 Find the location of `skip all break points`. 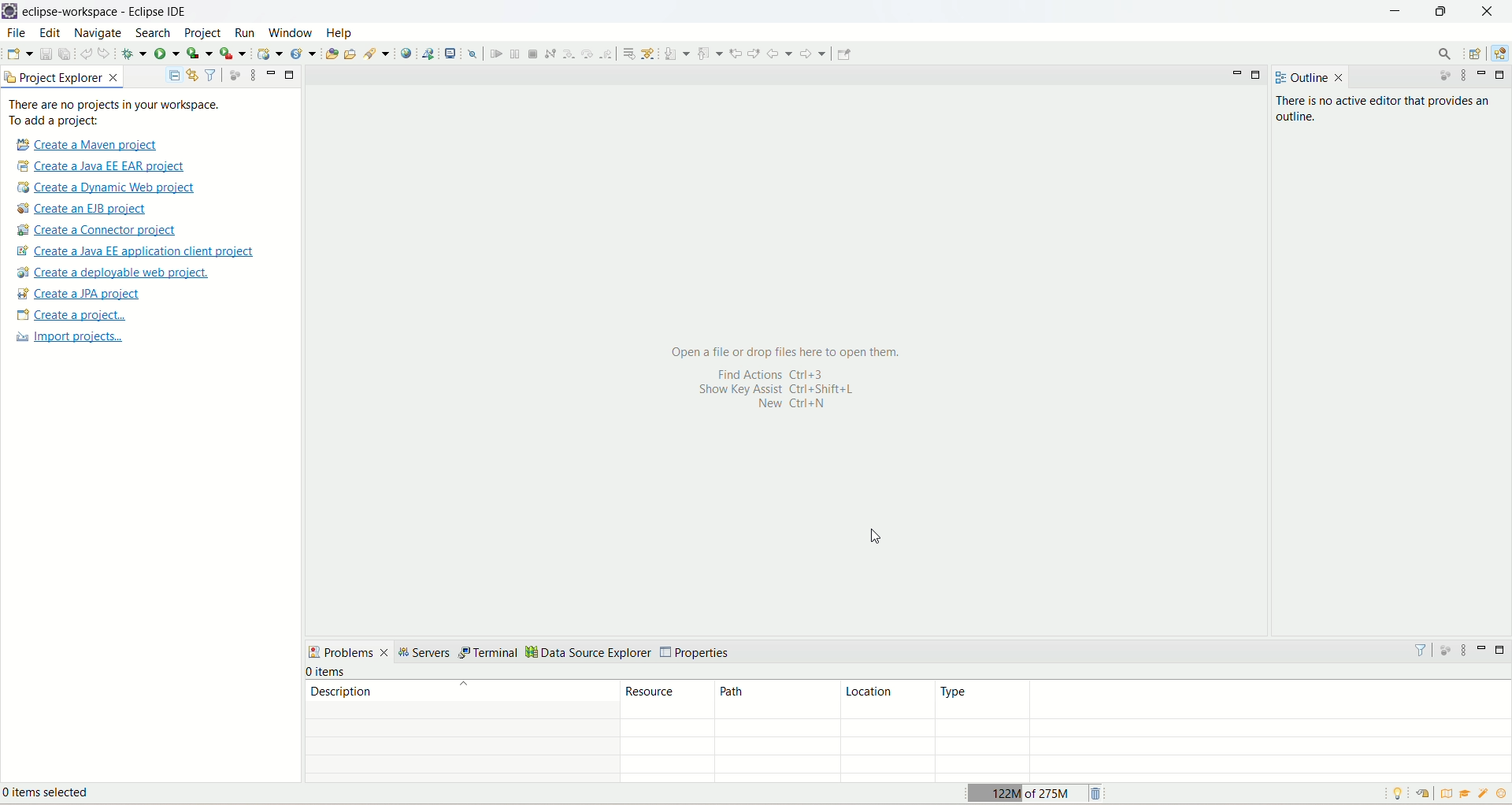

skip all break points is located at coordinates (472, 53).